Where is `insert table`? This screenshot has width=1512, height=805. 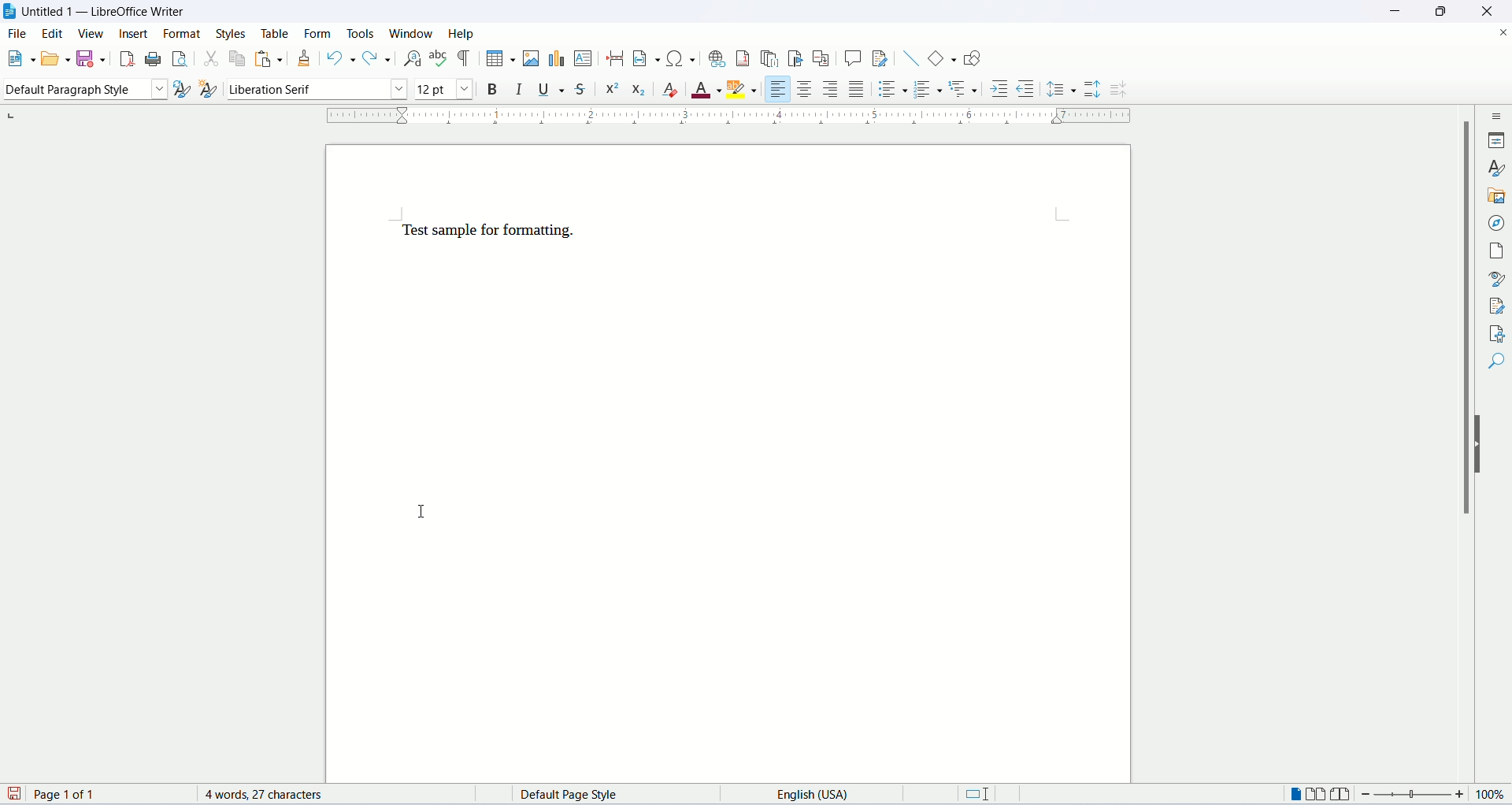
insert table is located at coordinates (498, 57).